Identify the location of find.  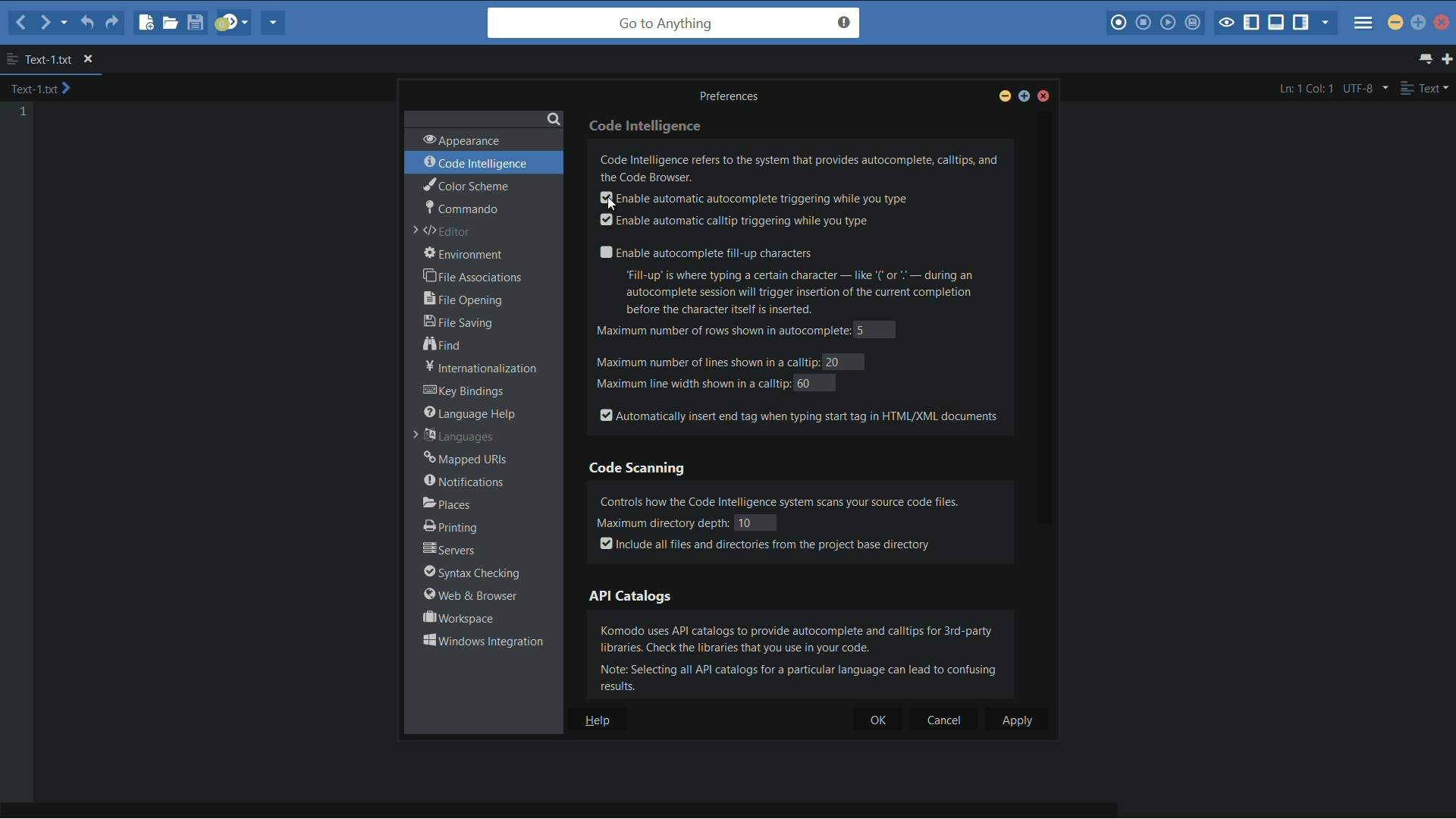
(444, 346).